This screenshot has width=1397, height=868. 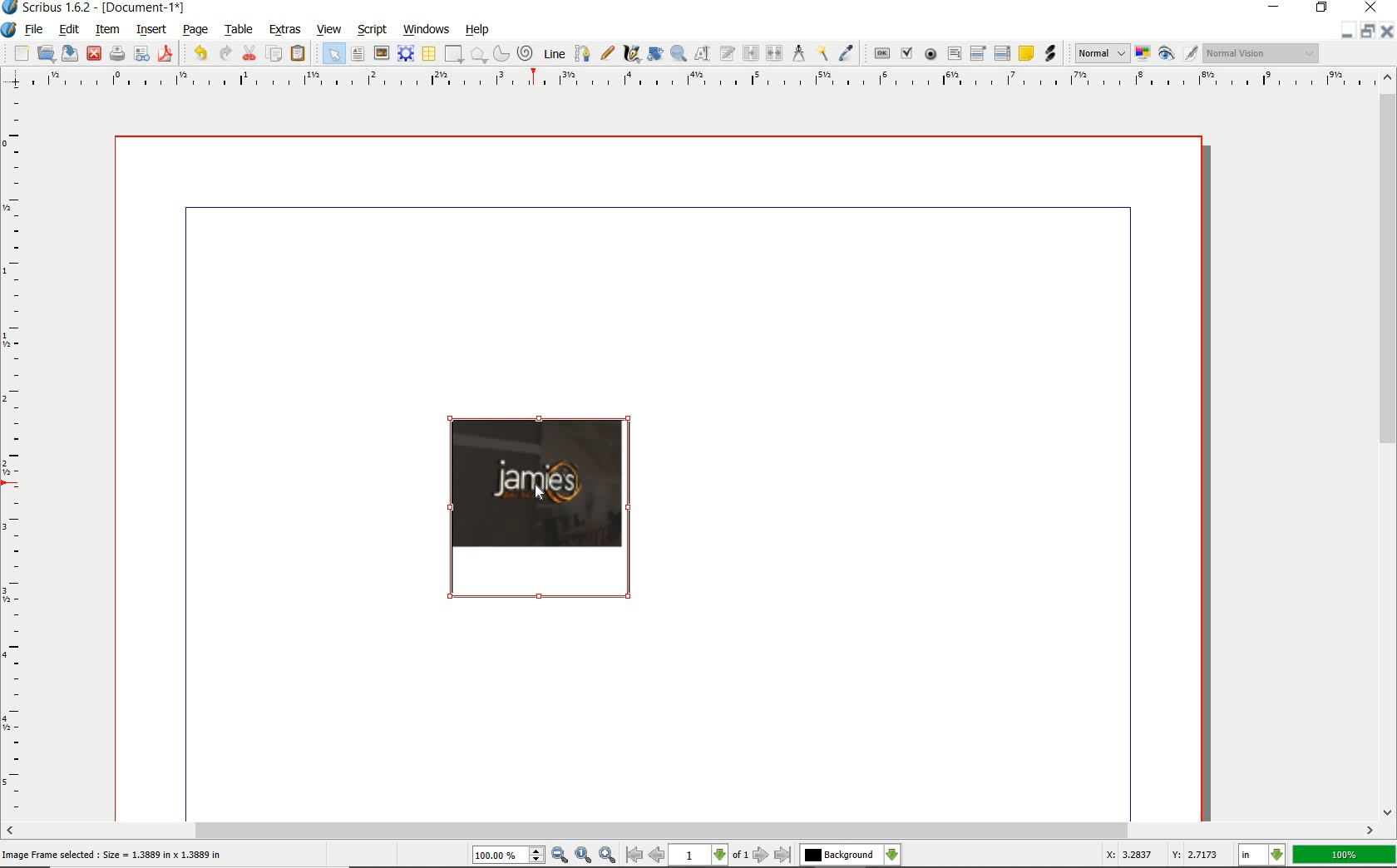 I want to click on text annotation, so click(x=1027, y=54).